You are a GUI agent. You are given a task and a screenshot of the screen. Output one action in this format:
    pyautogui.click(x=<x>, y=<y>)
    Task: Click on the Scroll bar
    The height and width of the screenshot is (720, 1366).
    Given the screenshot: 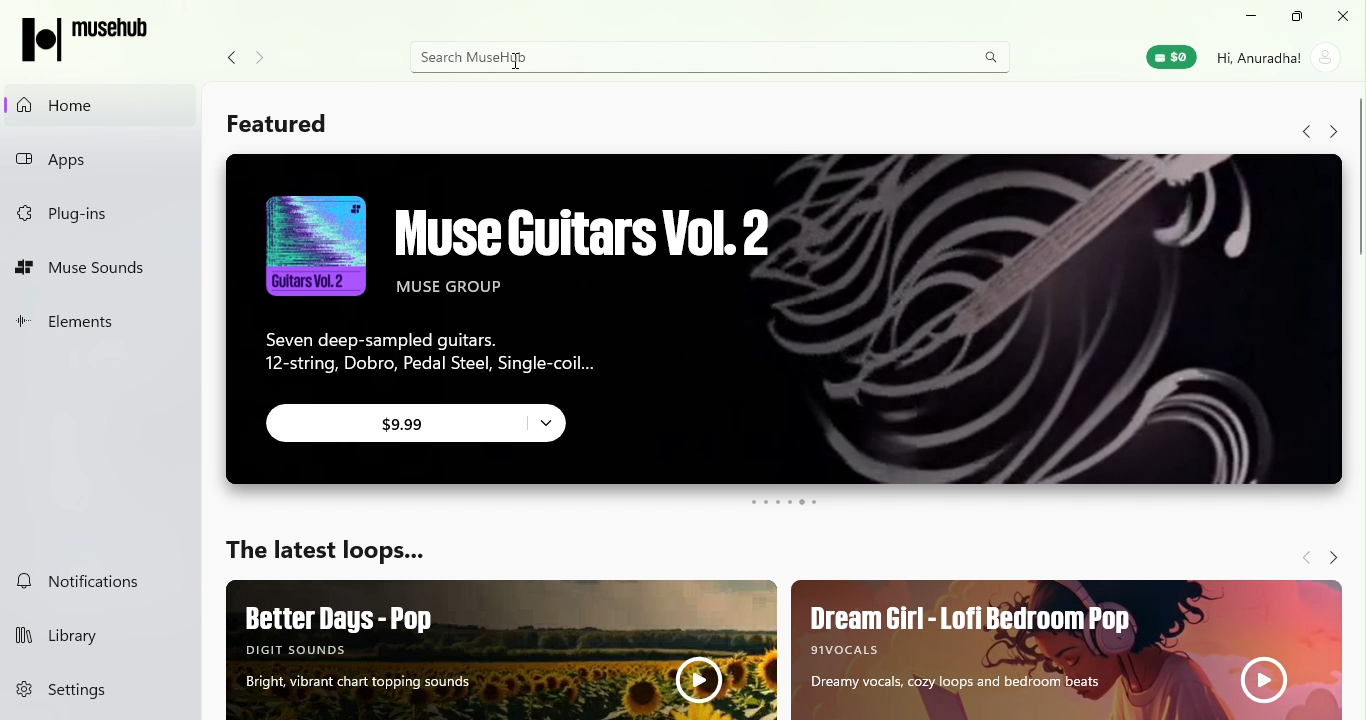 What is the action you would take?
    pyautogui.click(x=1355, y=406)
    